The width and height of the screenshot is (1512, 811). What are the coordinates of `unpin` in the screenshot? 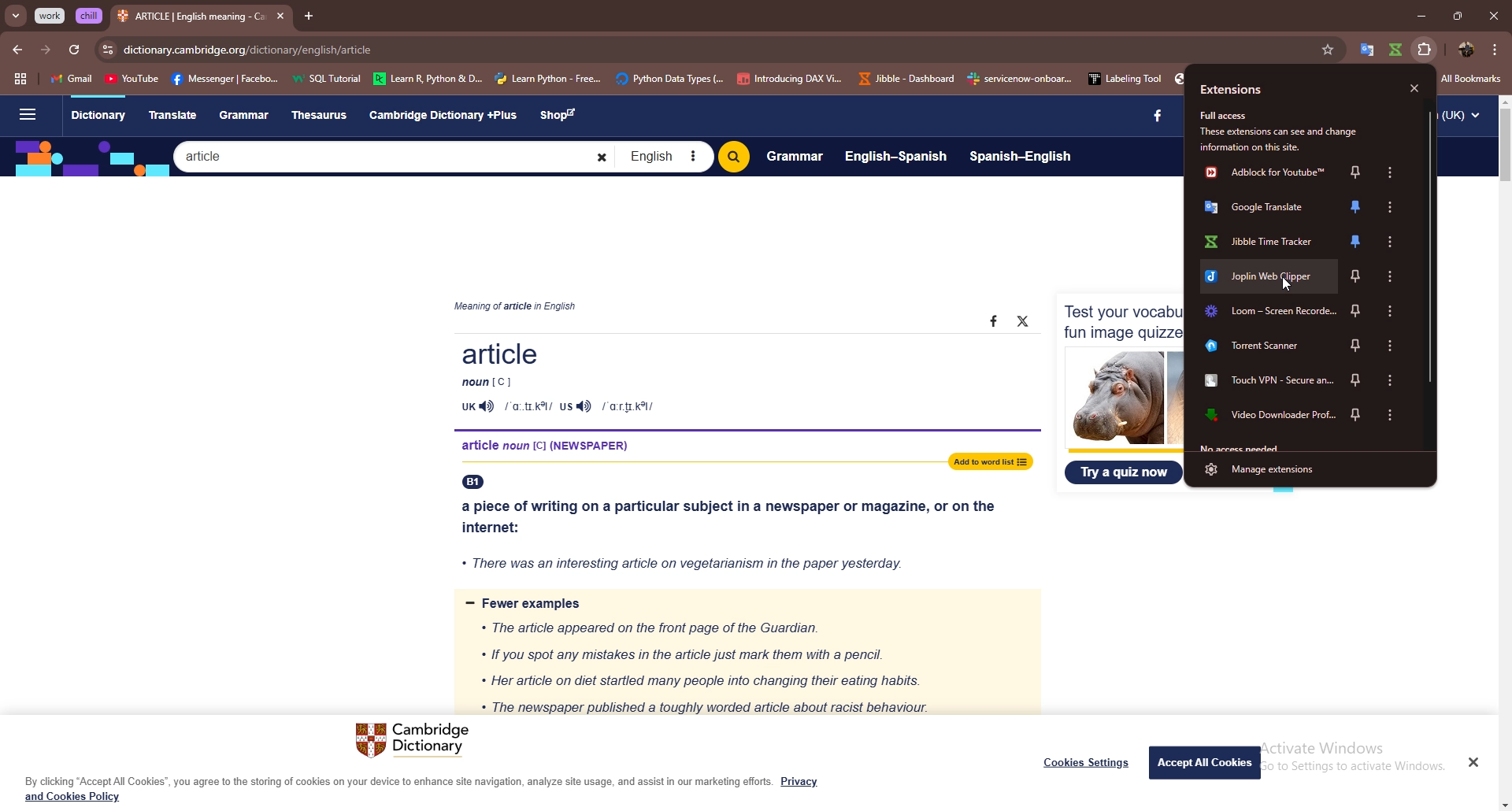 It's located at (1358, 240).